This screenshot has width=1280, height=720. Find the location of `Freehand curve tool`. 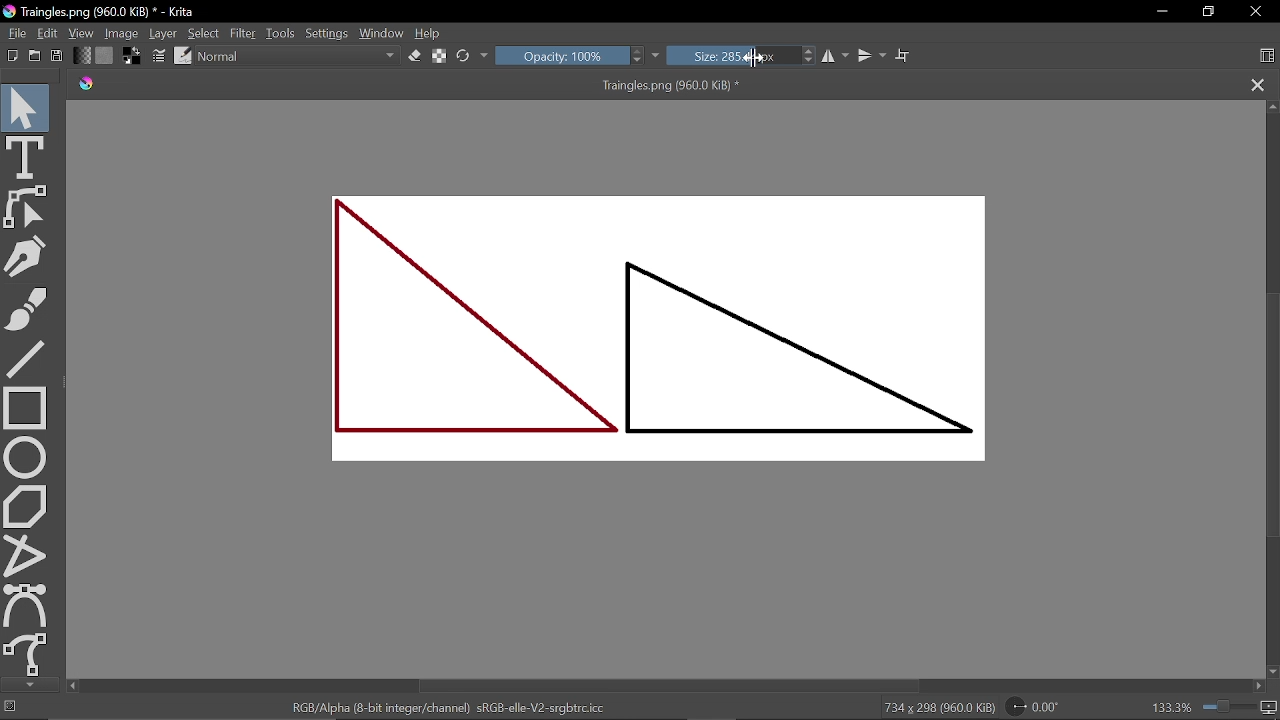

Freehand curve tool is located at coordinates (28, 654).